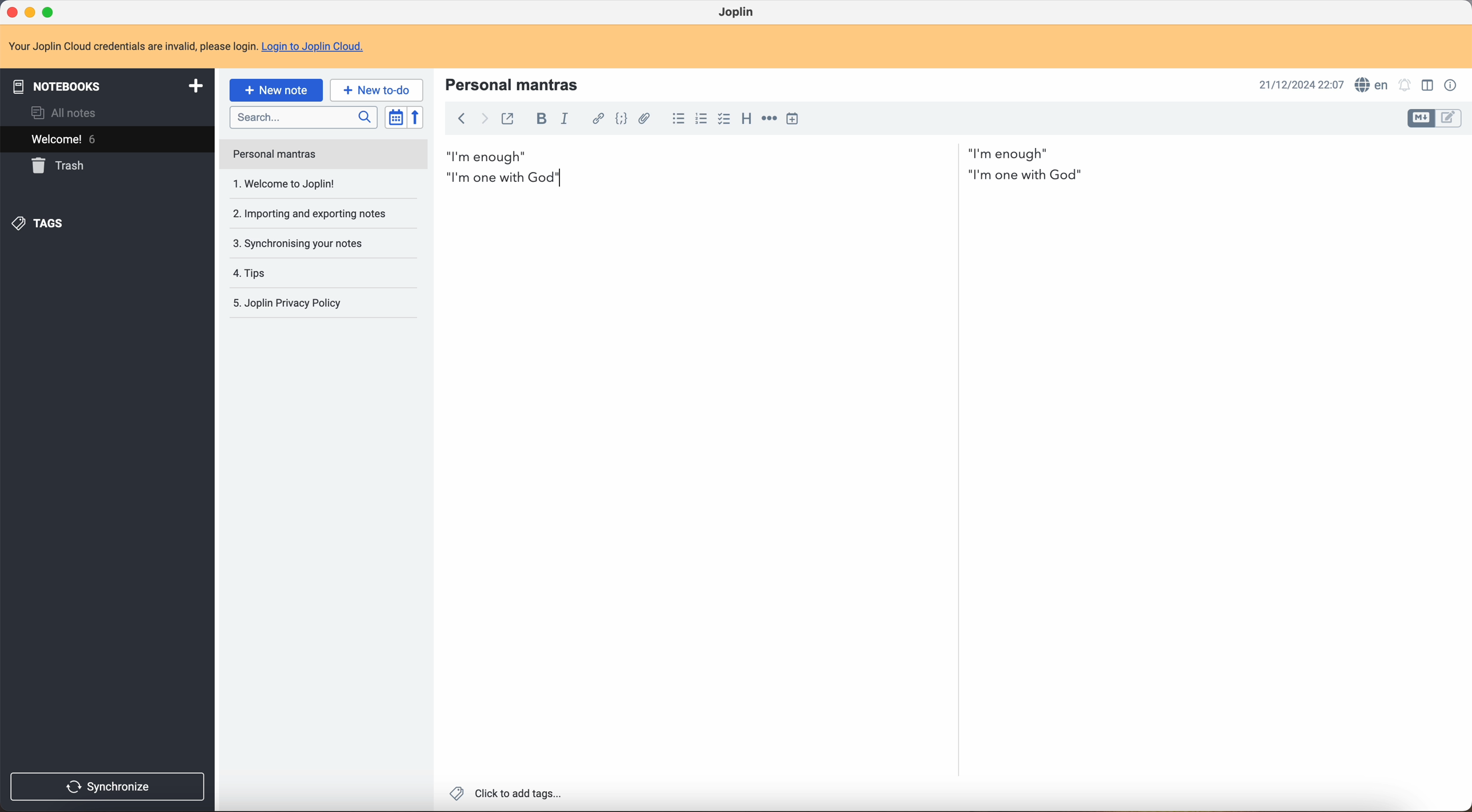 The image size is (1472, 812). Describe the element at coordinates (690, 486) in the screenshot. I see `body text` at that location.